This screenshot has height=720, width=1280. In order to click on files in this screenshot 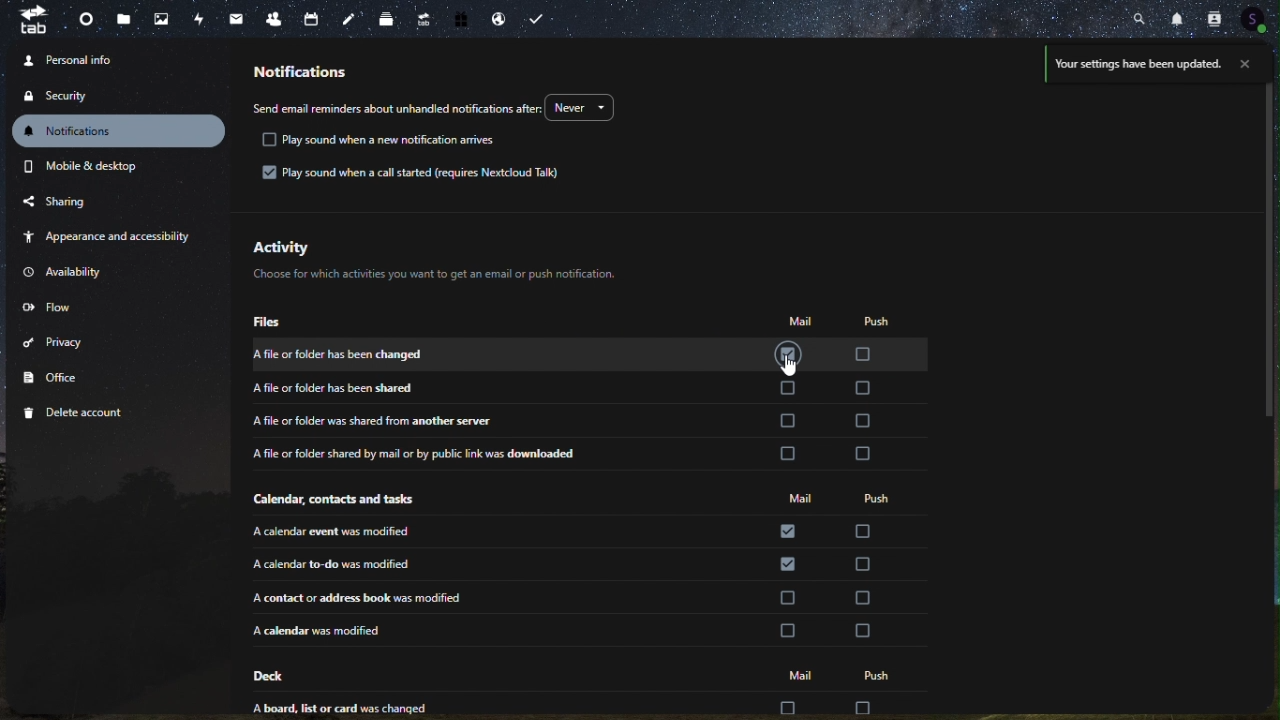, I will do `click(126, 18)`.